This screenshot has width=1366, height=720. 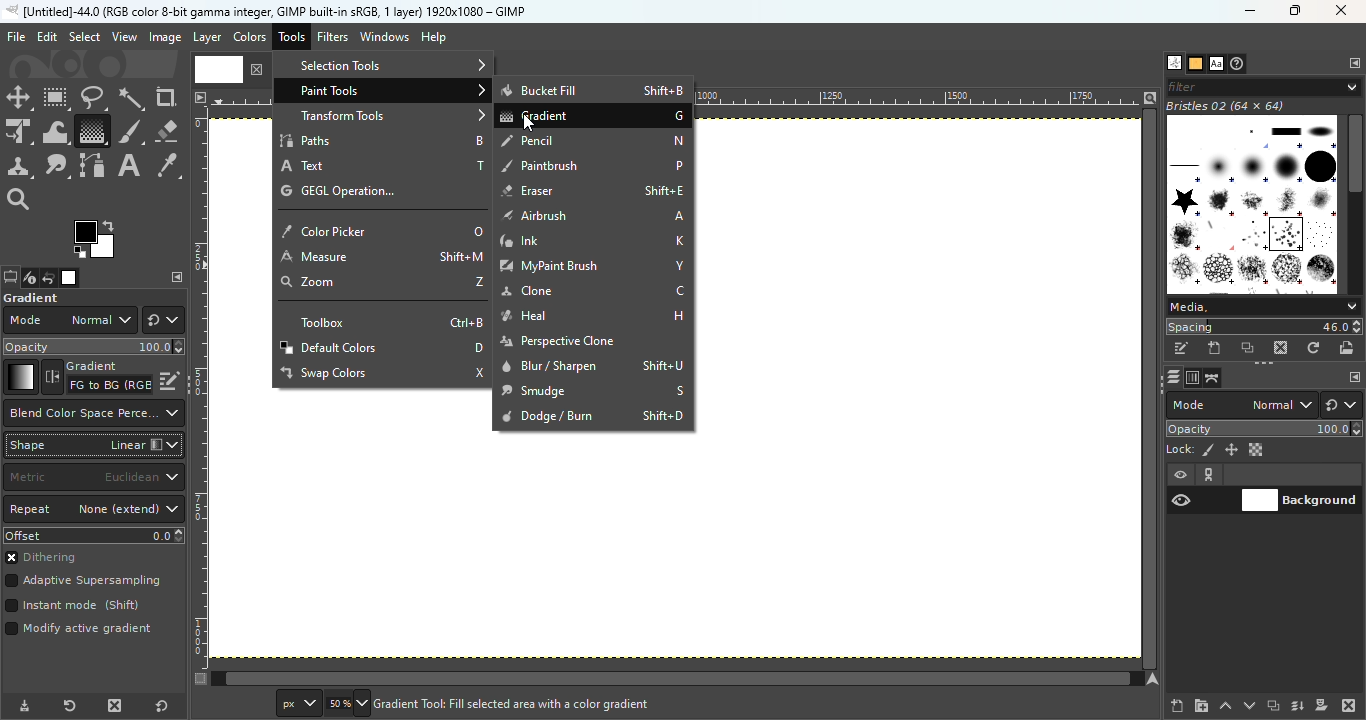 I want to click on Add a mask that allows non destructive editing of transperency, so click(x=1322, y=705).